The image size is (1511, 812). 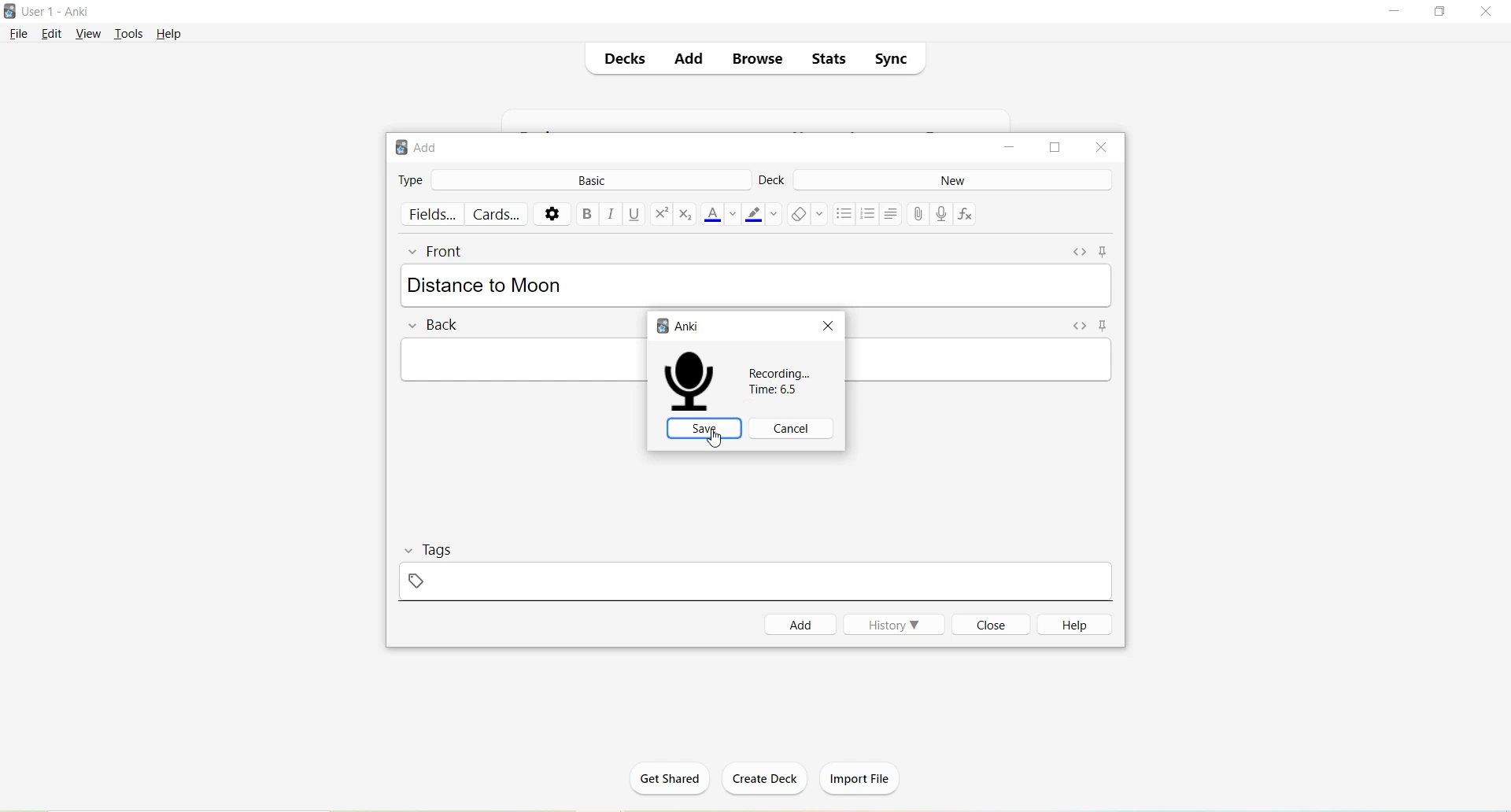 What do you see at coordinates (415, 326) in the screenshot?
I see `Collapse field` at bounding box center [415, 326].